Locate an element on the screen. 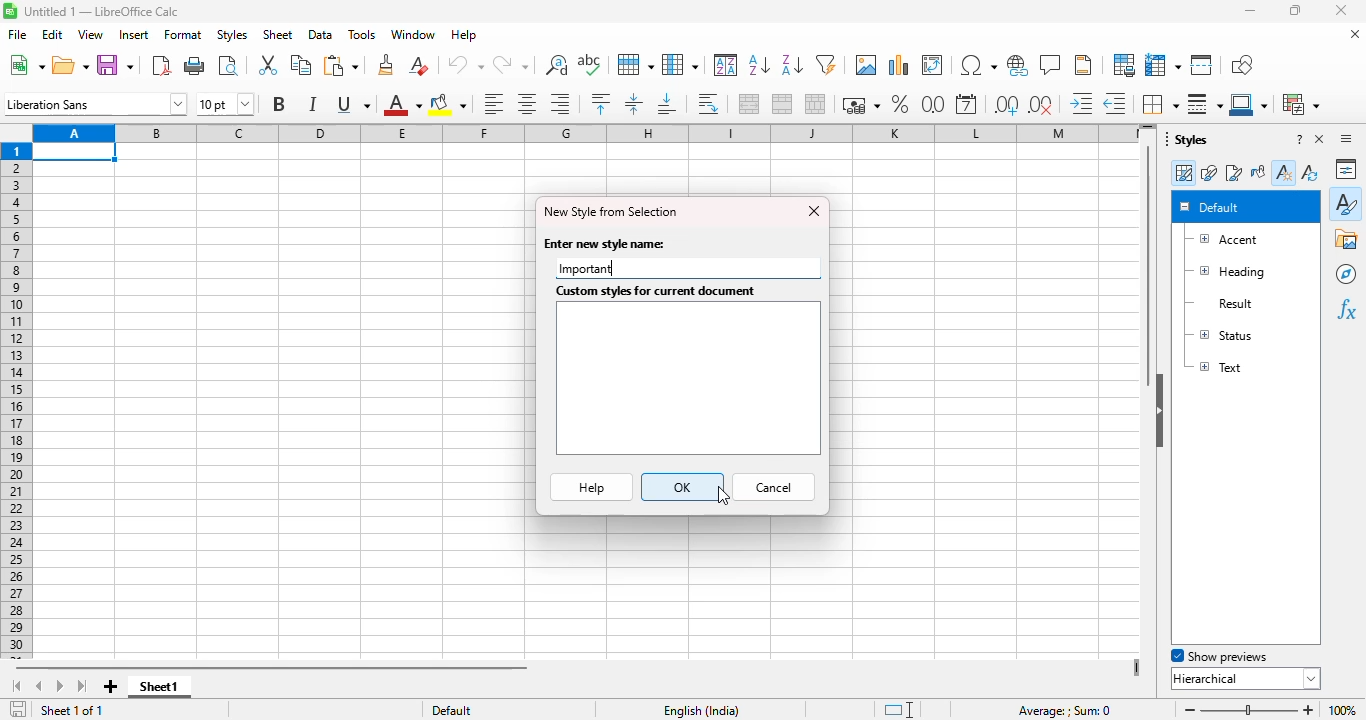  border color is located at coordinates (1250, 104).